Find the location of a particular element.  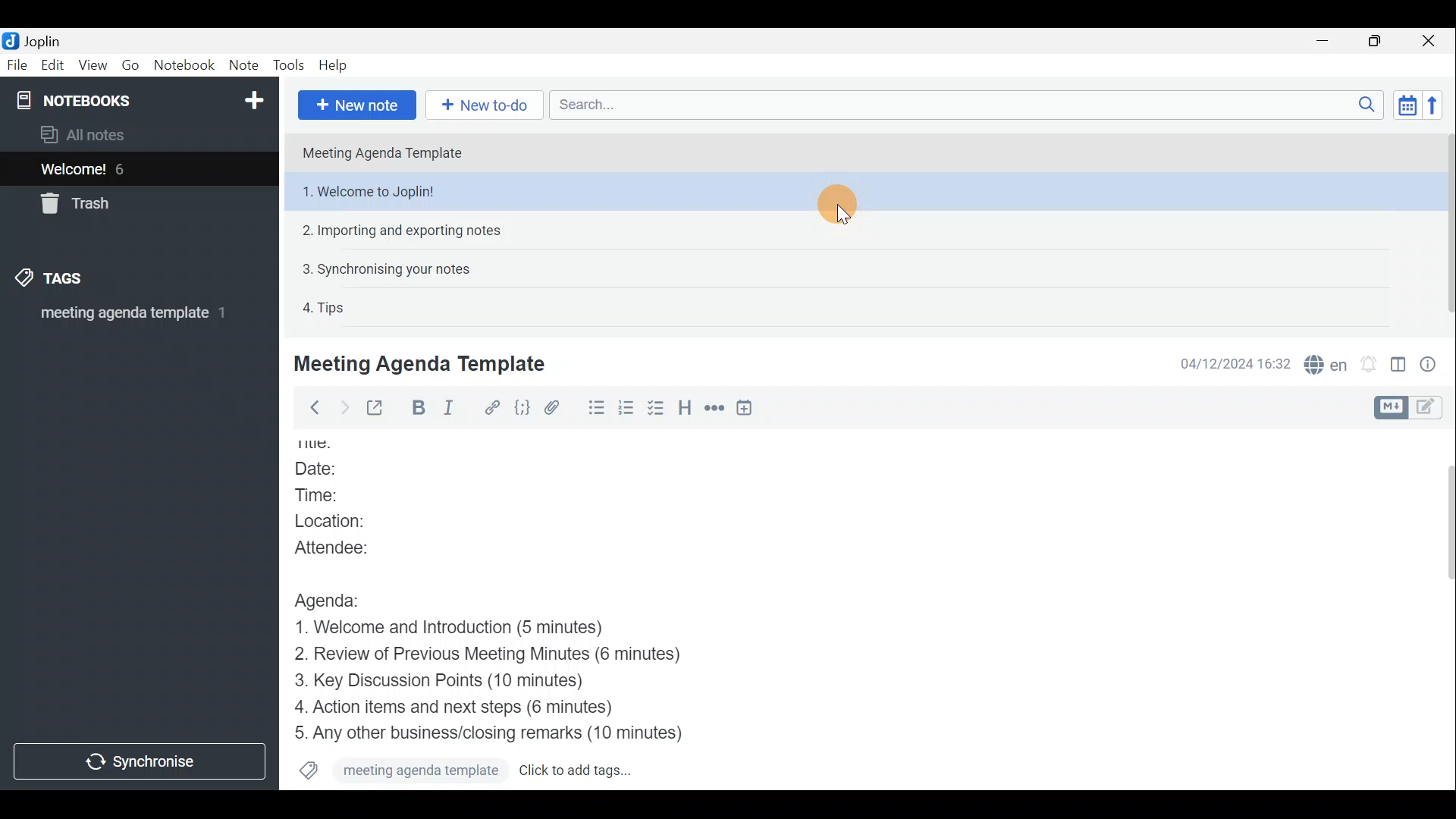

Help is located at coordinates (336, 65).